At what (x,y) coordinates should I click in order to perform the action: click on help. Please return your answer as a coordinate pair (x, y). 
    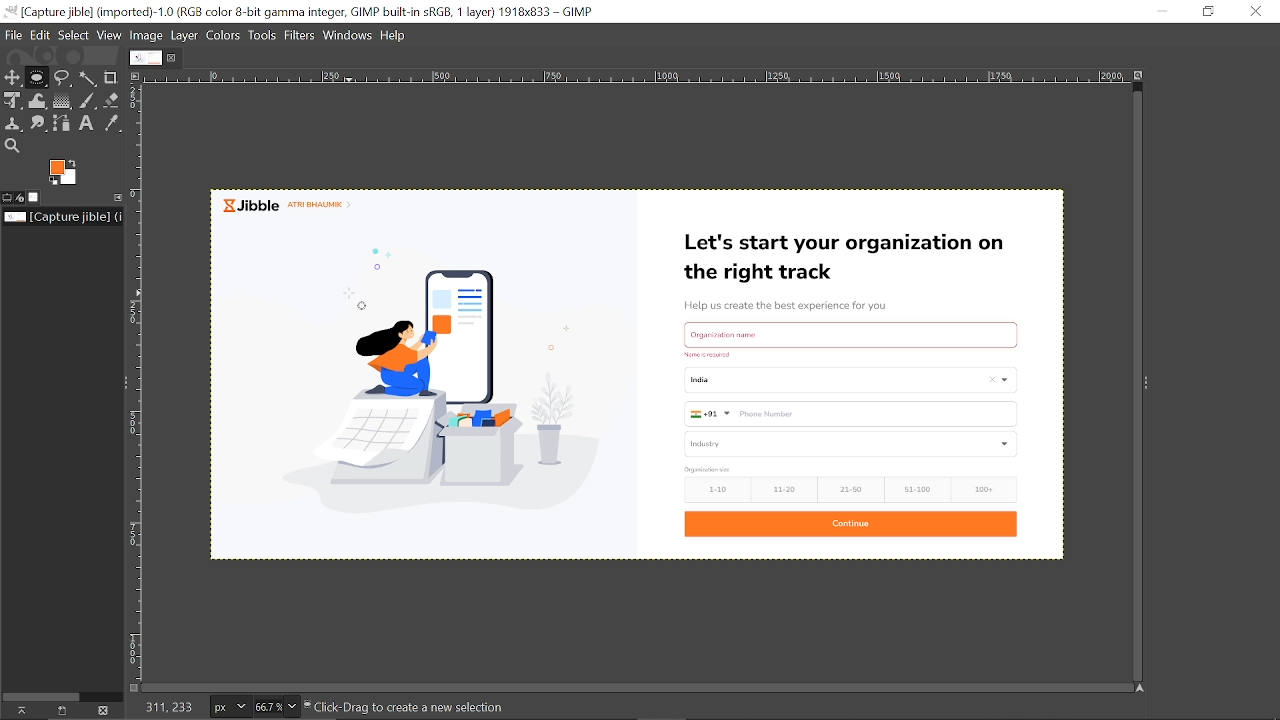
    Looking at the image, I should click on (396, 34).